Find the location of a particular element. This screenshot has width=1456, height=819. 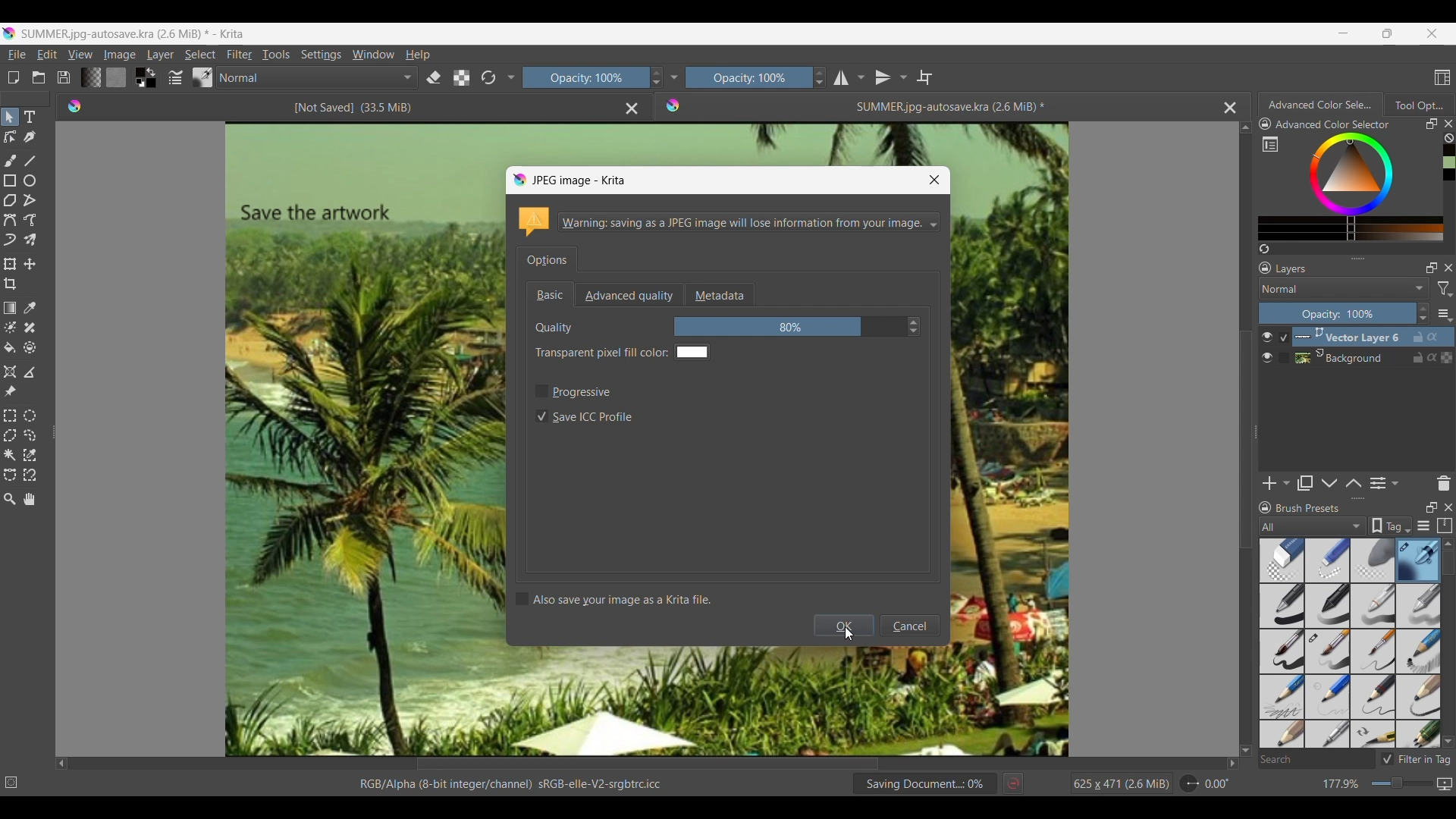

Choose brush preset is located at coordinates (202, 77).